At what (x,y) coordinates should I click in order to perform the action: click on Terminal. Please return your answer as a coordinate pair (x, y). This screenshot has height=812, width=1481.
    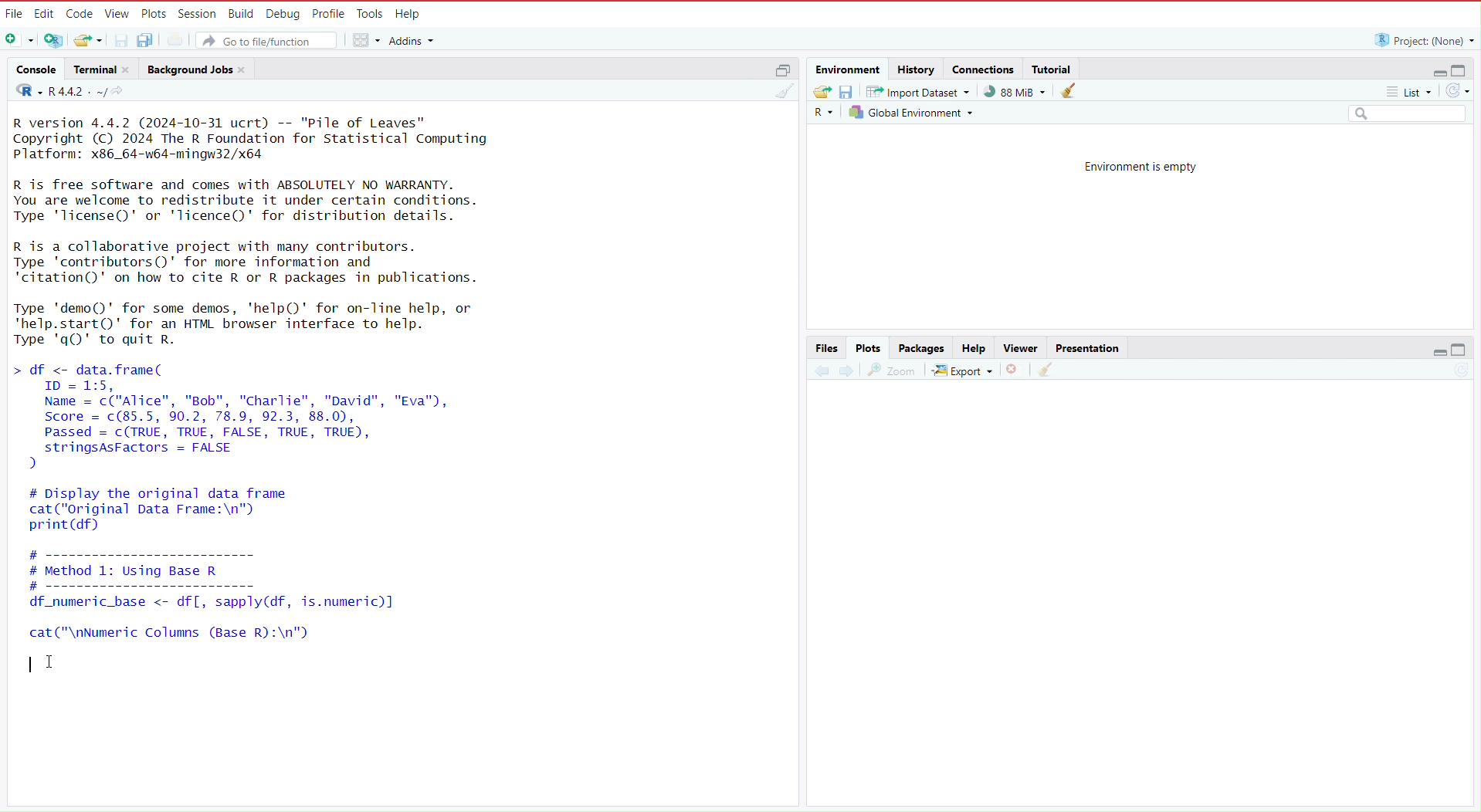
    Looking at the image, I should click on (92, 67).